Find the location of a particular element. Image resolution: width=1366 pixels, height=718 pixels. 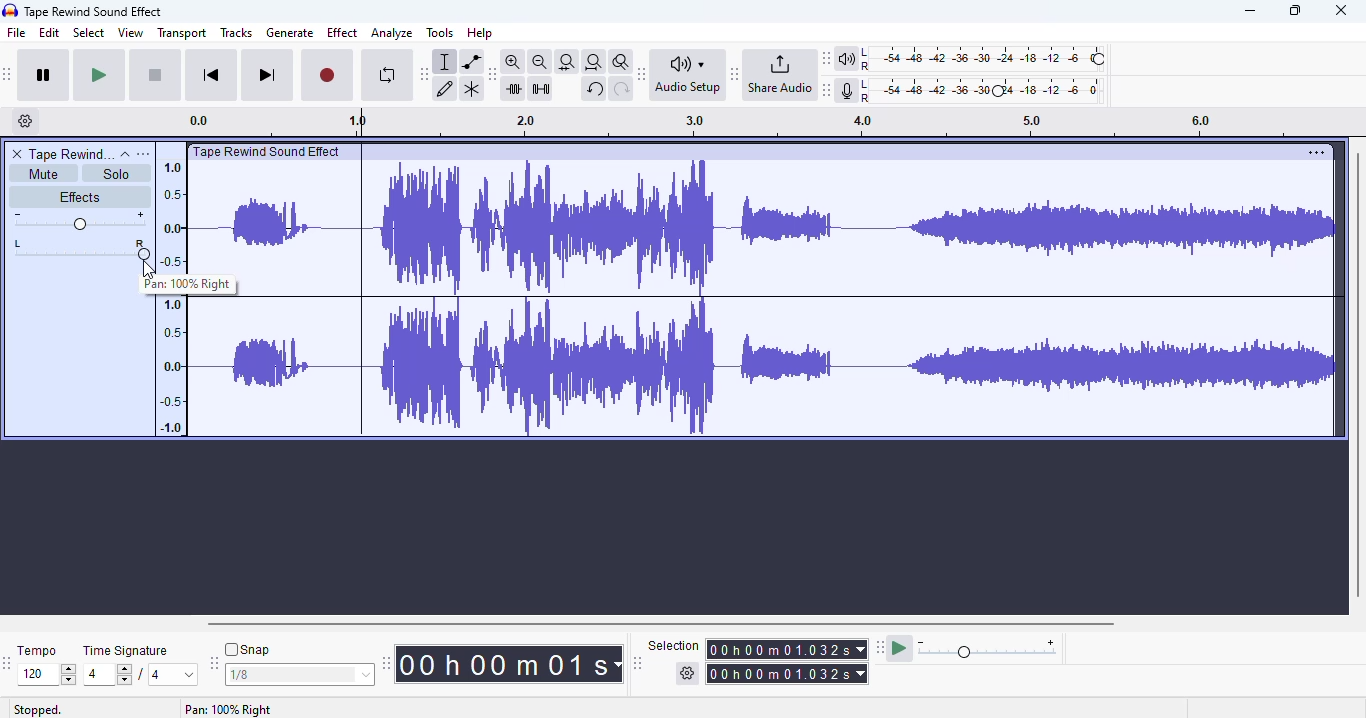

delete track is located at coordinates (18, 154).